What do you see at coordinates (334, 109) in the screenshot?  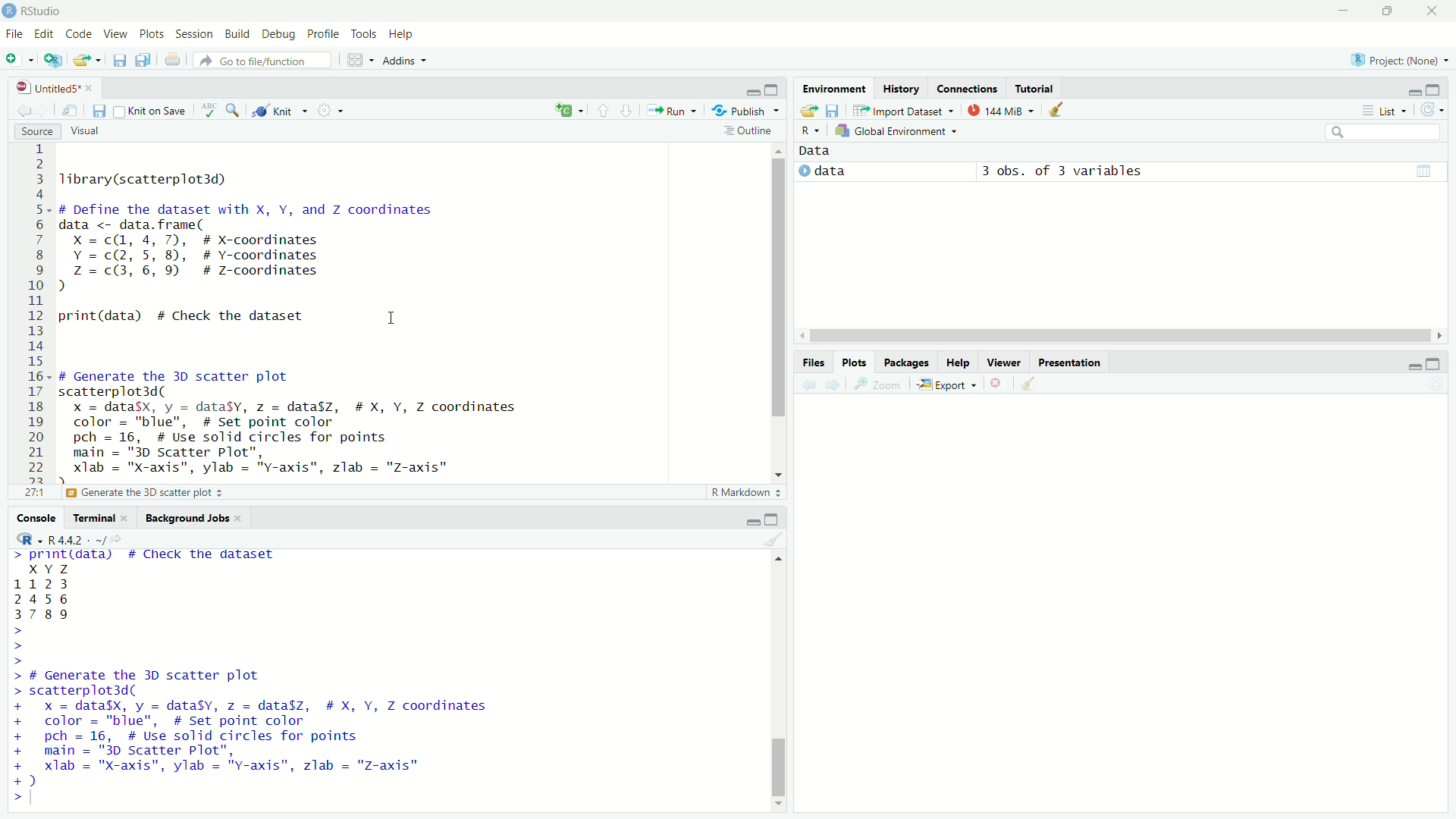 I see `Settings` at bounding box center [334, 109].